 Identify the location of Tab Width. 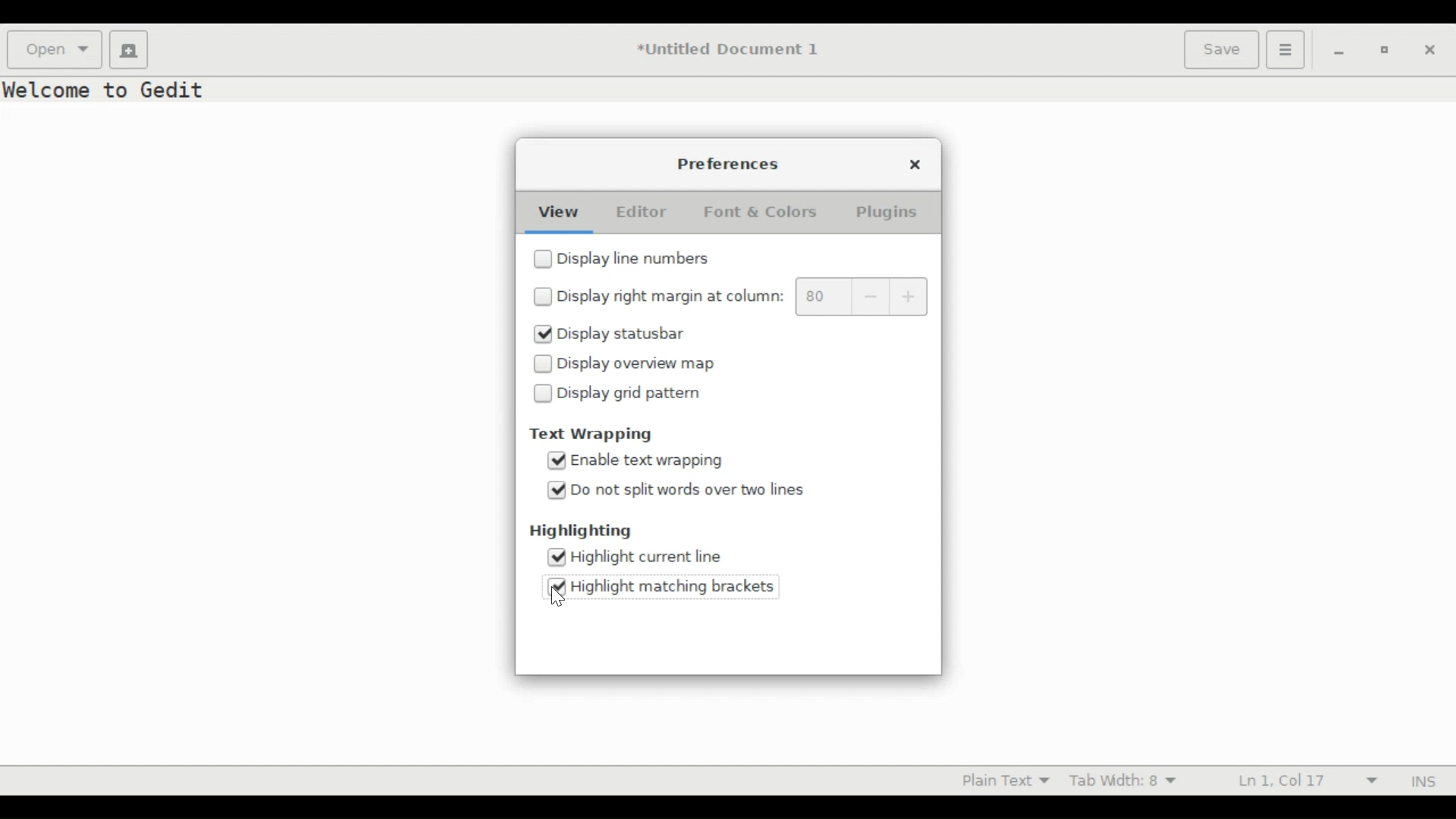
(1130, 781).